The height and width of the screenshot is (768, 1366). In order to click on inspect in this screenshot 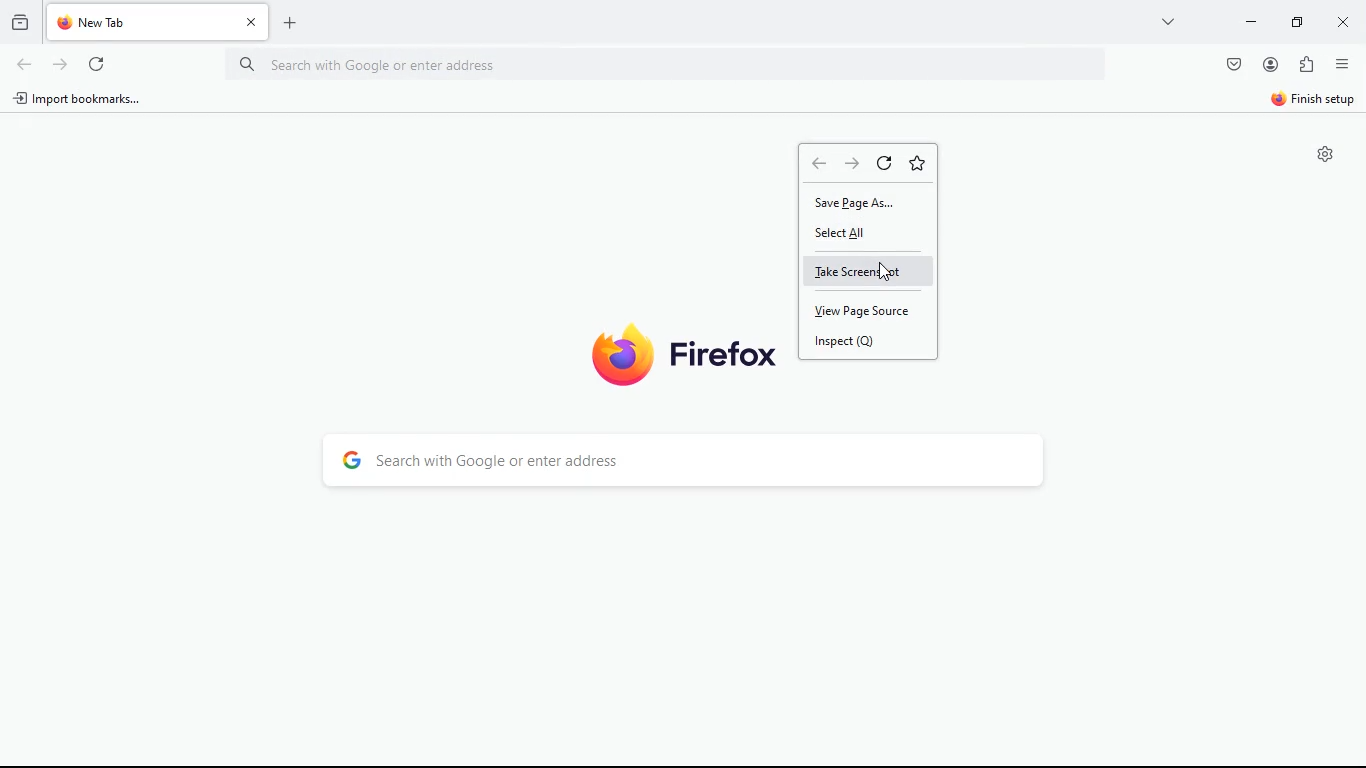, I will do `click(861, 341)`.